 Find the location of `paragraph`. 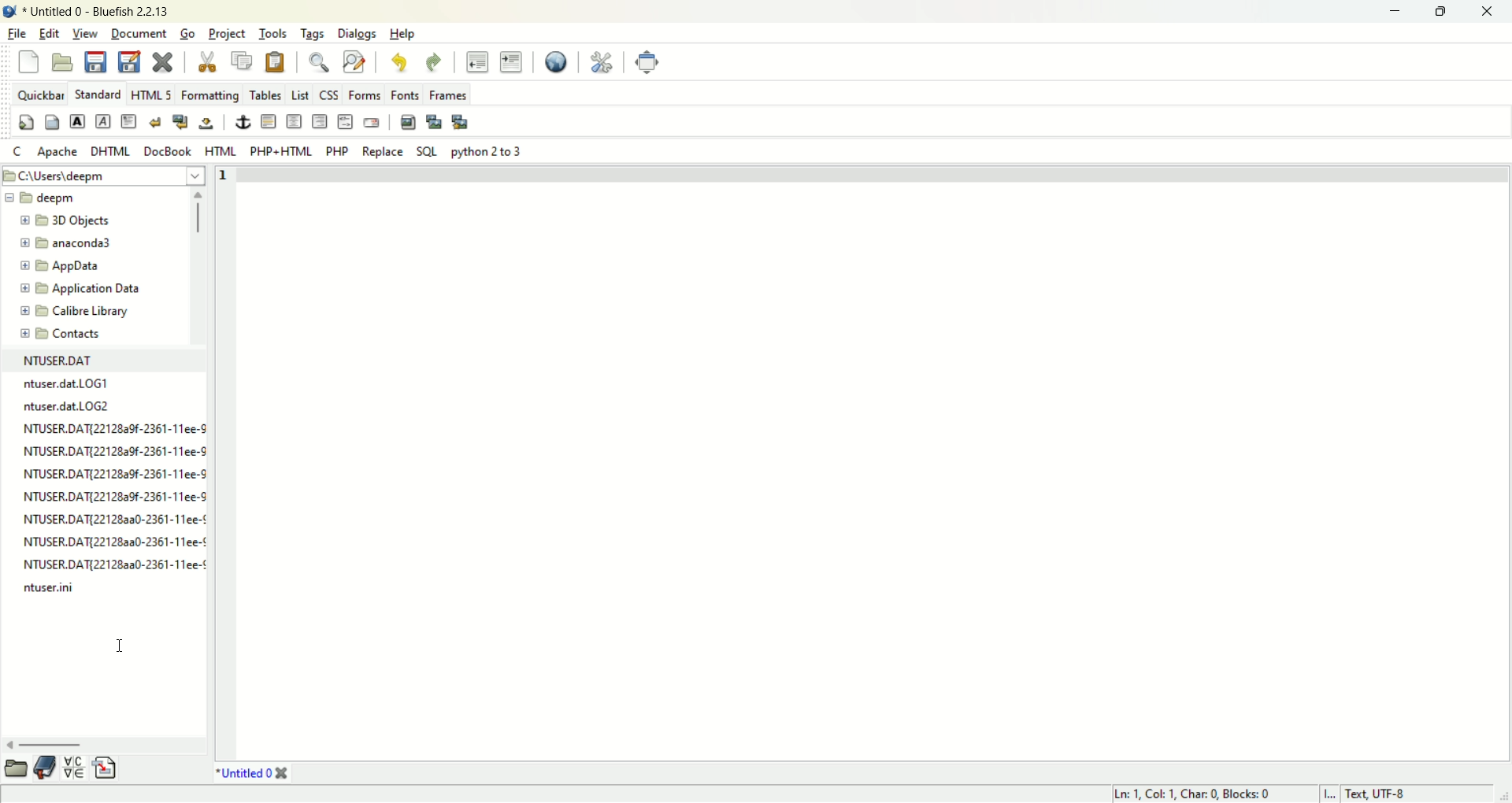

paragraph is located at coordinates (129, 120).